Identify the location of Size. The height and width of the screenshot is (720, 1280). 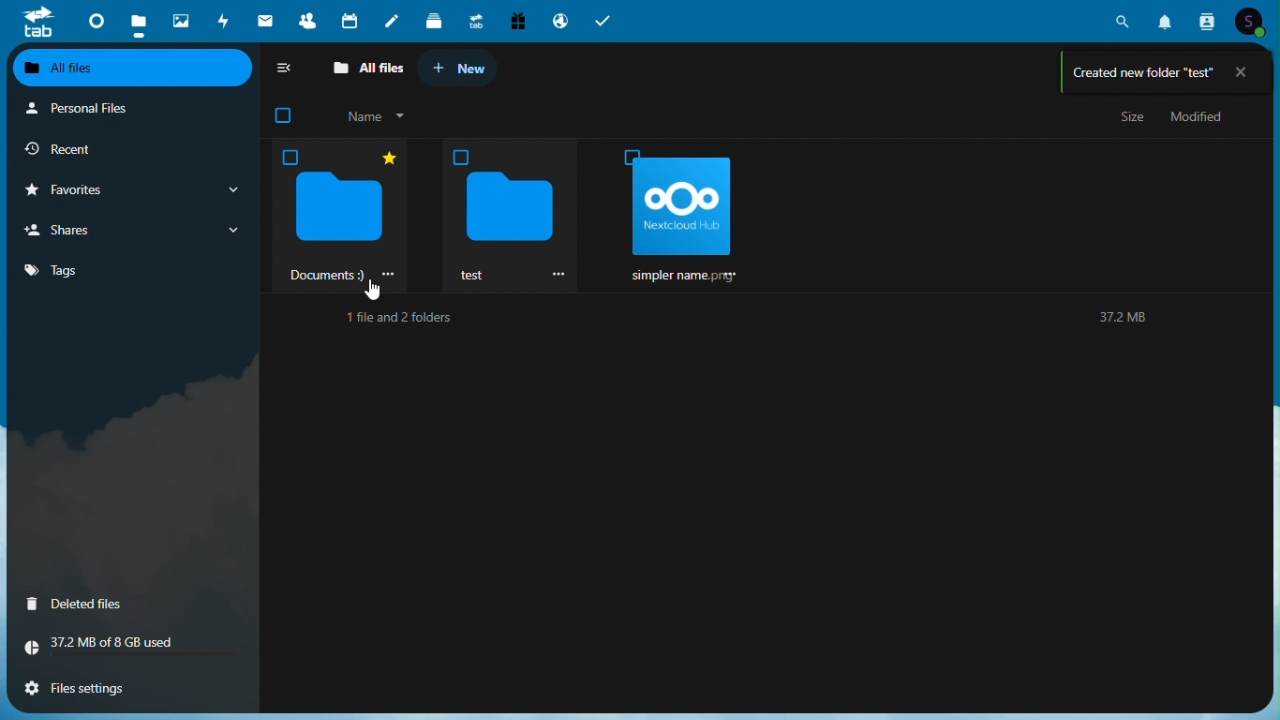
(1135, 118).